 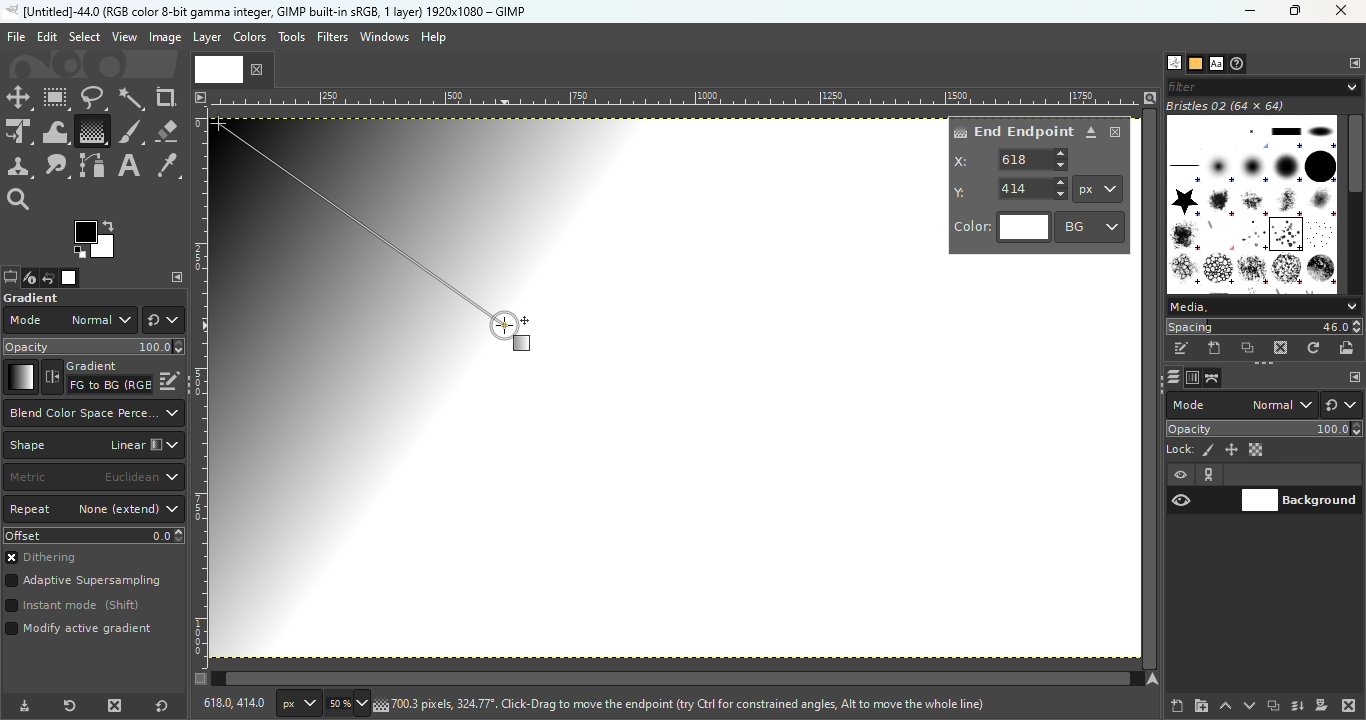 What do you see at coordinates (1012, 130) in the screenshot?
I see `End Endpoint` at bounding box center [1012, 130].